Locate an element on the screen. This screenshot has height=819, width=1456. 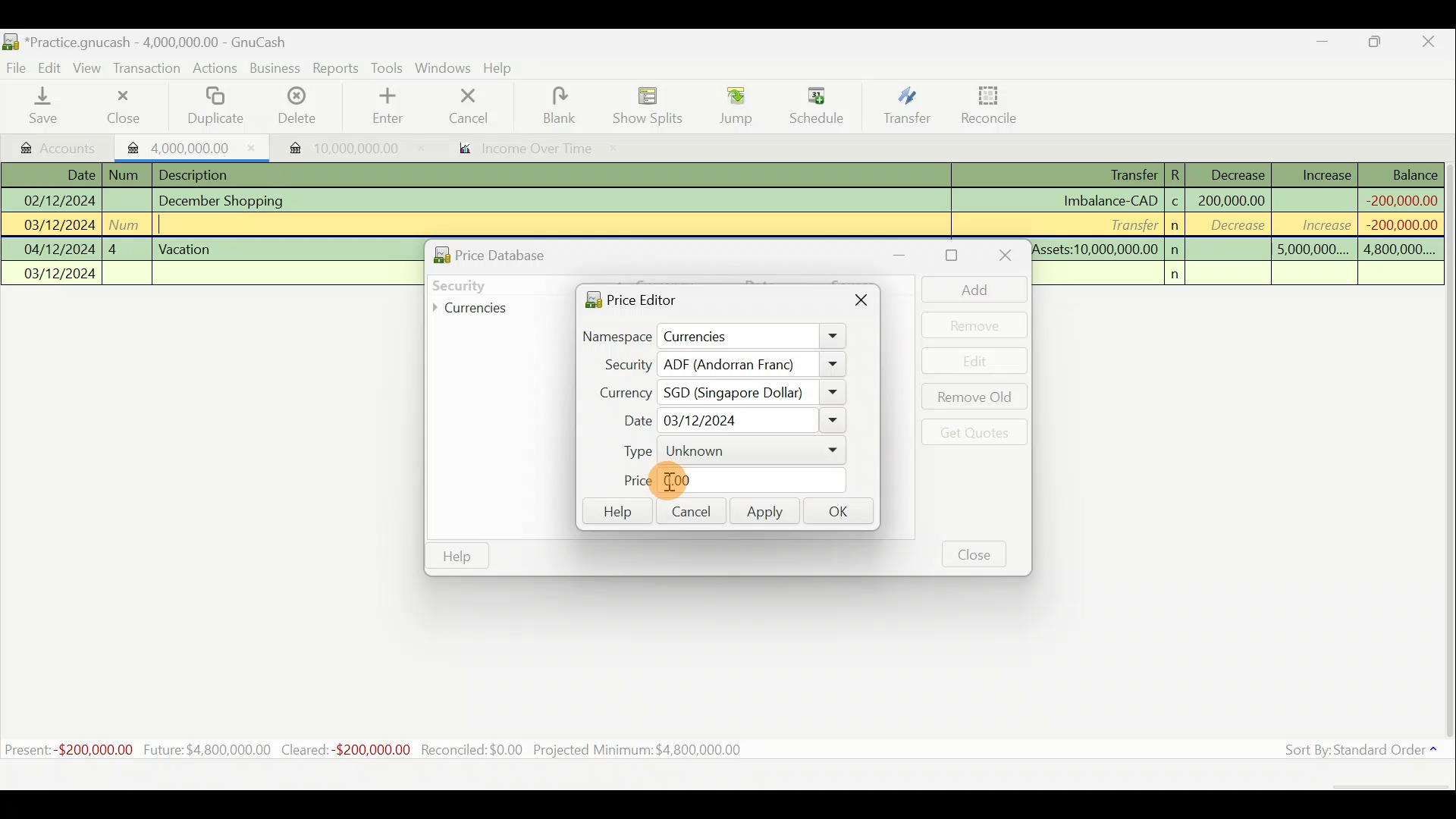
Tools is located at coordinates (388, 67).